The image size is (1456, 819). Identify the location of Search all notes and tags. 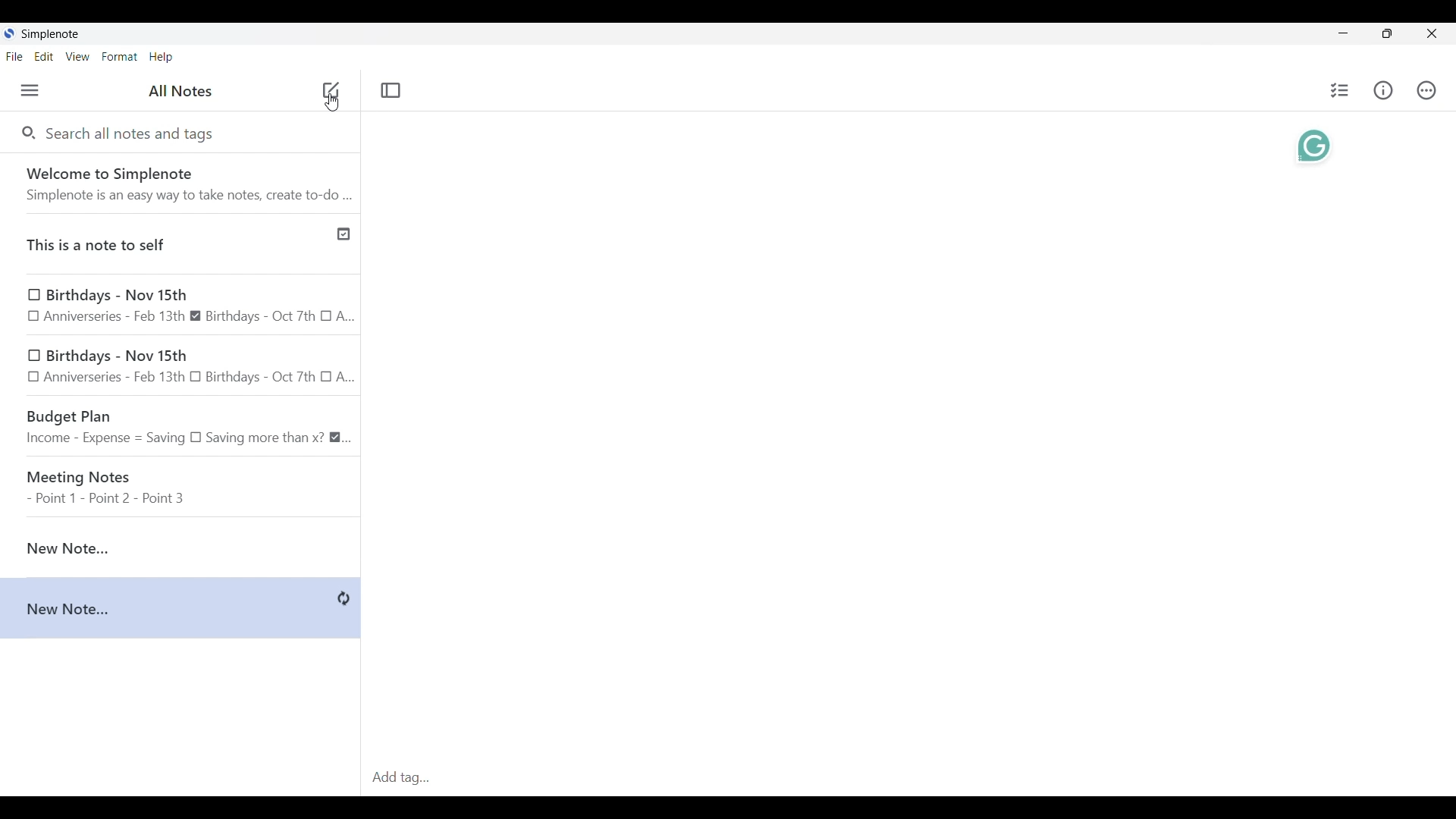
(132, 135).